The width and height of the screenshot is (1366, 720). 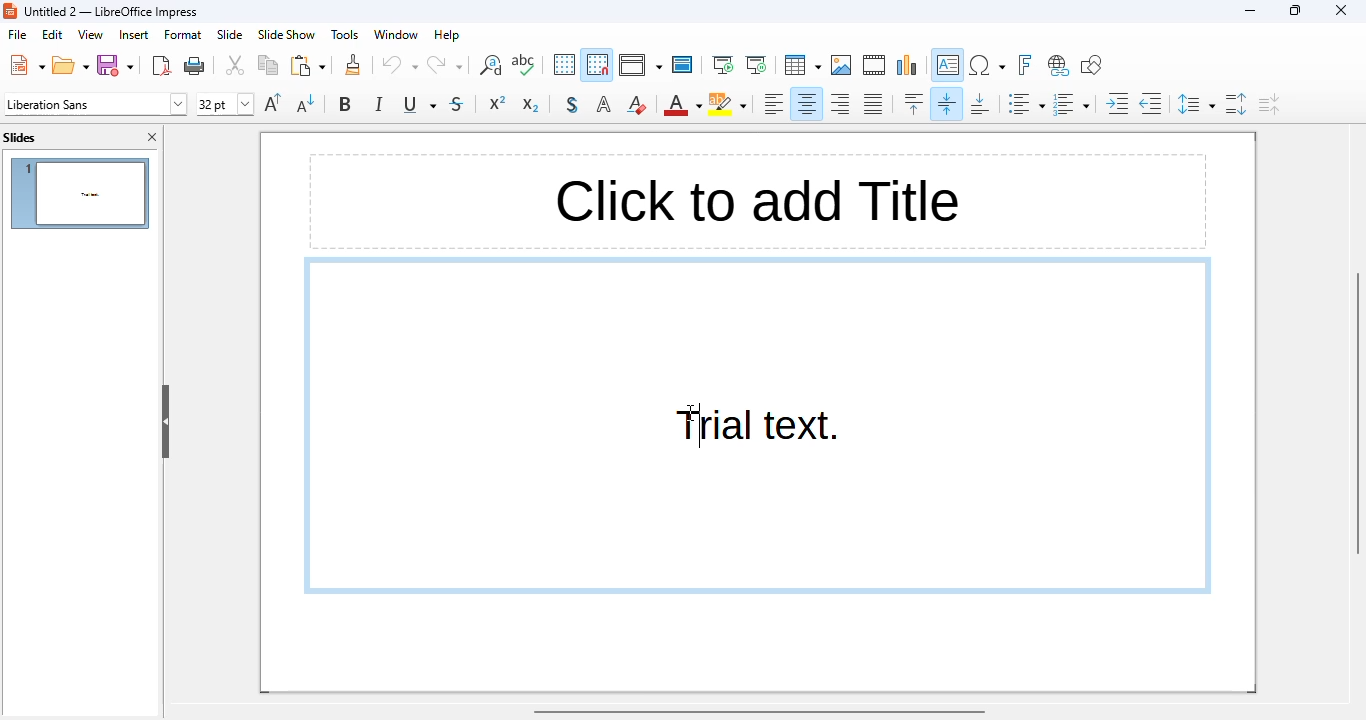 What do you see at coordinates (231, 34) in the screenshot?
I see `slide` at bounding box center [231, 34].